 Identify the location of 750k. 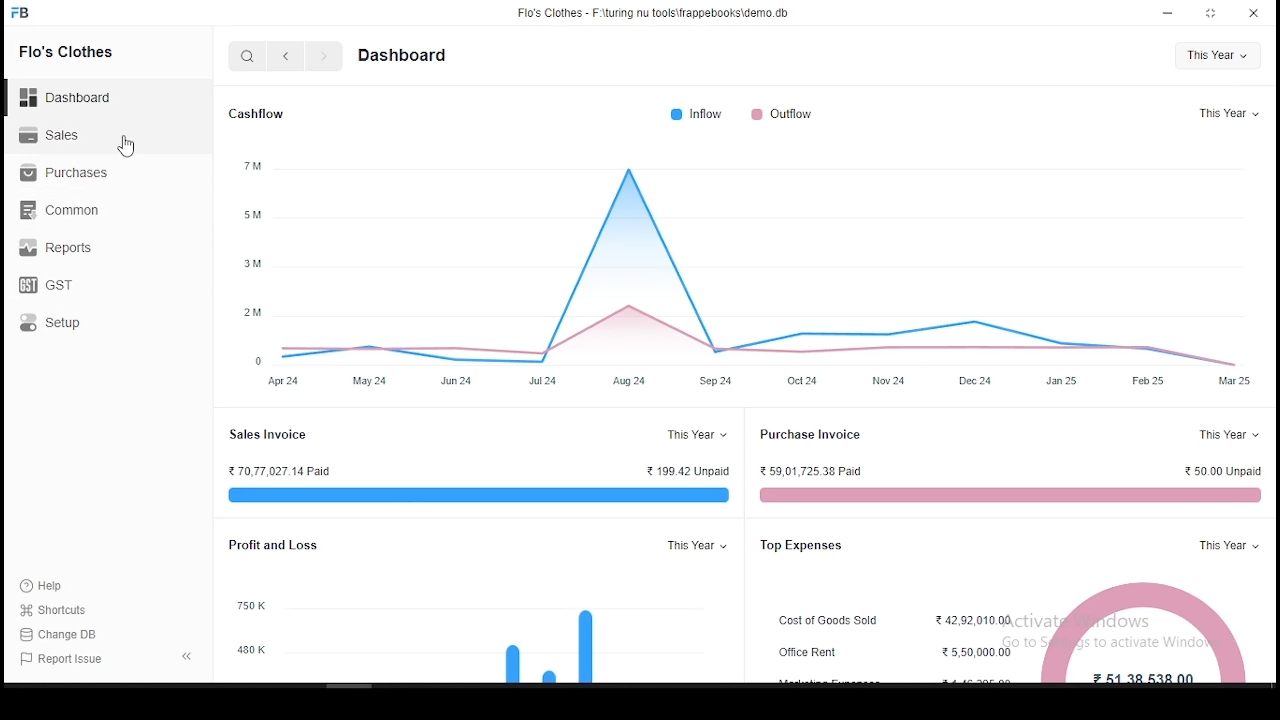
(245, 605).